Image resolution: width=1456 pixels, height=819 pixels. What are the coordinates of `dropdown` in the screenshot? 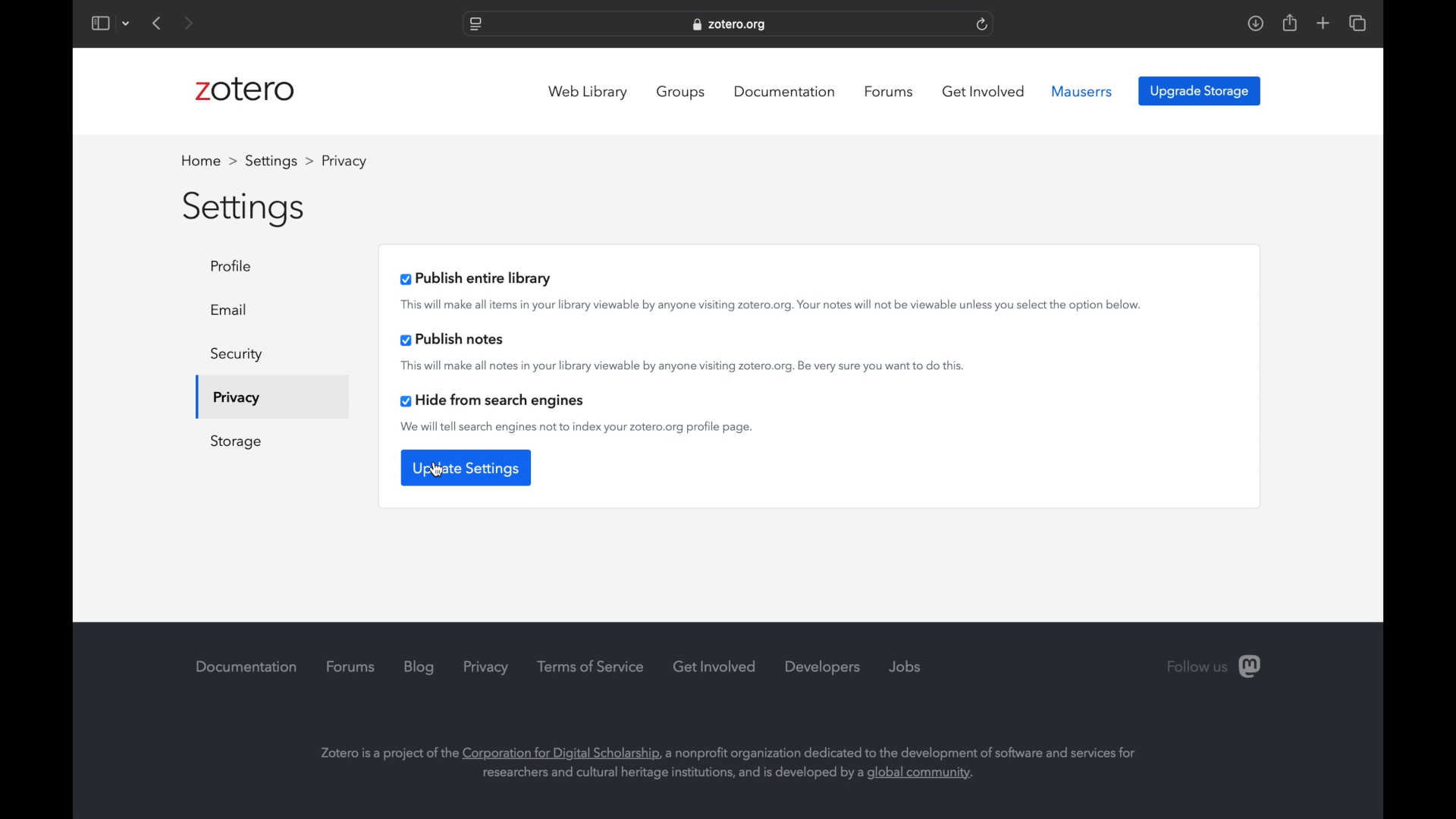 It's located at (127, 24).